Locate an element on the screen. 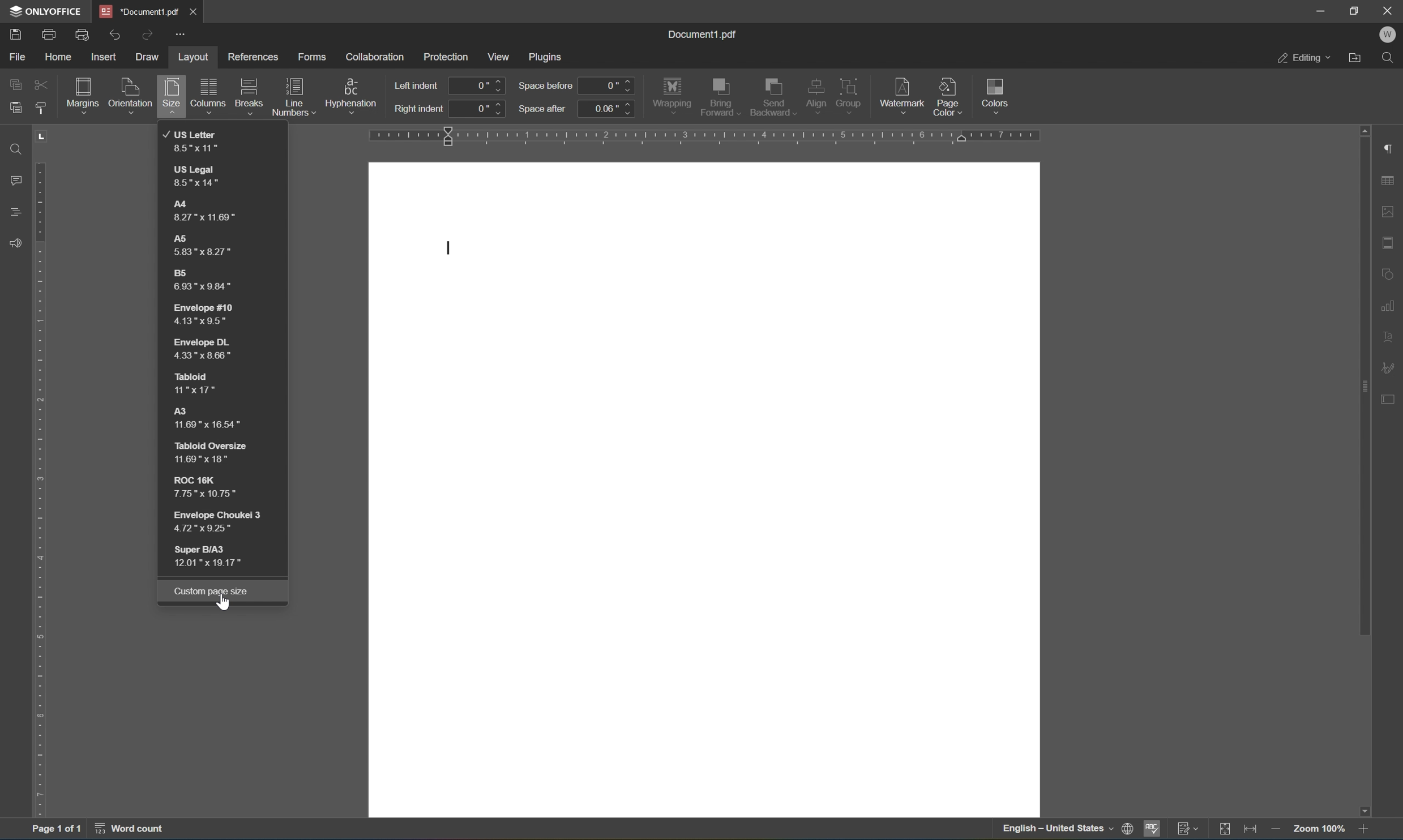  send backward is located at coordinates (771, 97).